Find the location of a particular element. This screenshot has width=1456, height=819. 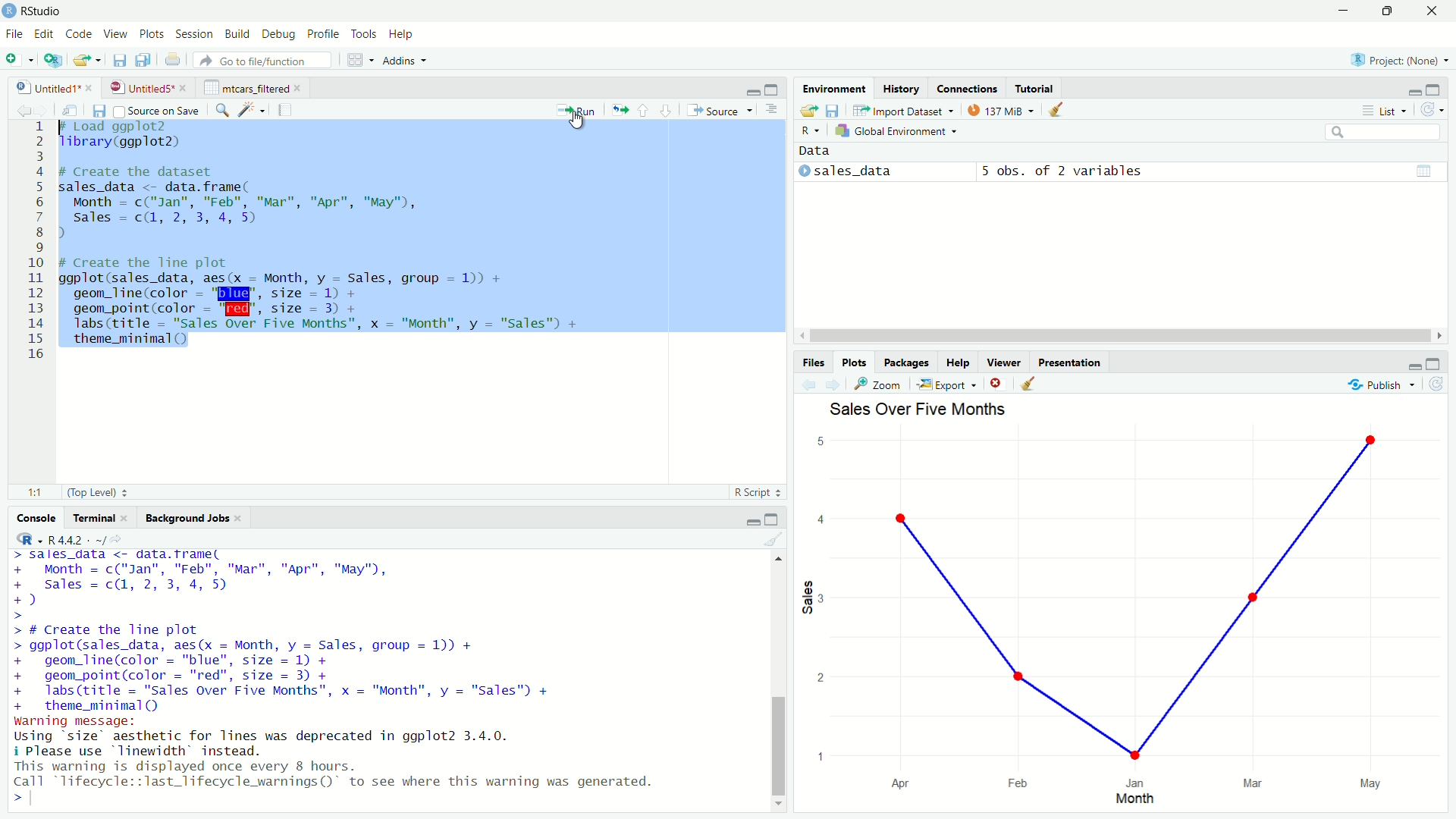

maximize is located at coordinates (1393, 11).